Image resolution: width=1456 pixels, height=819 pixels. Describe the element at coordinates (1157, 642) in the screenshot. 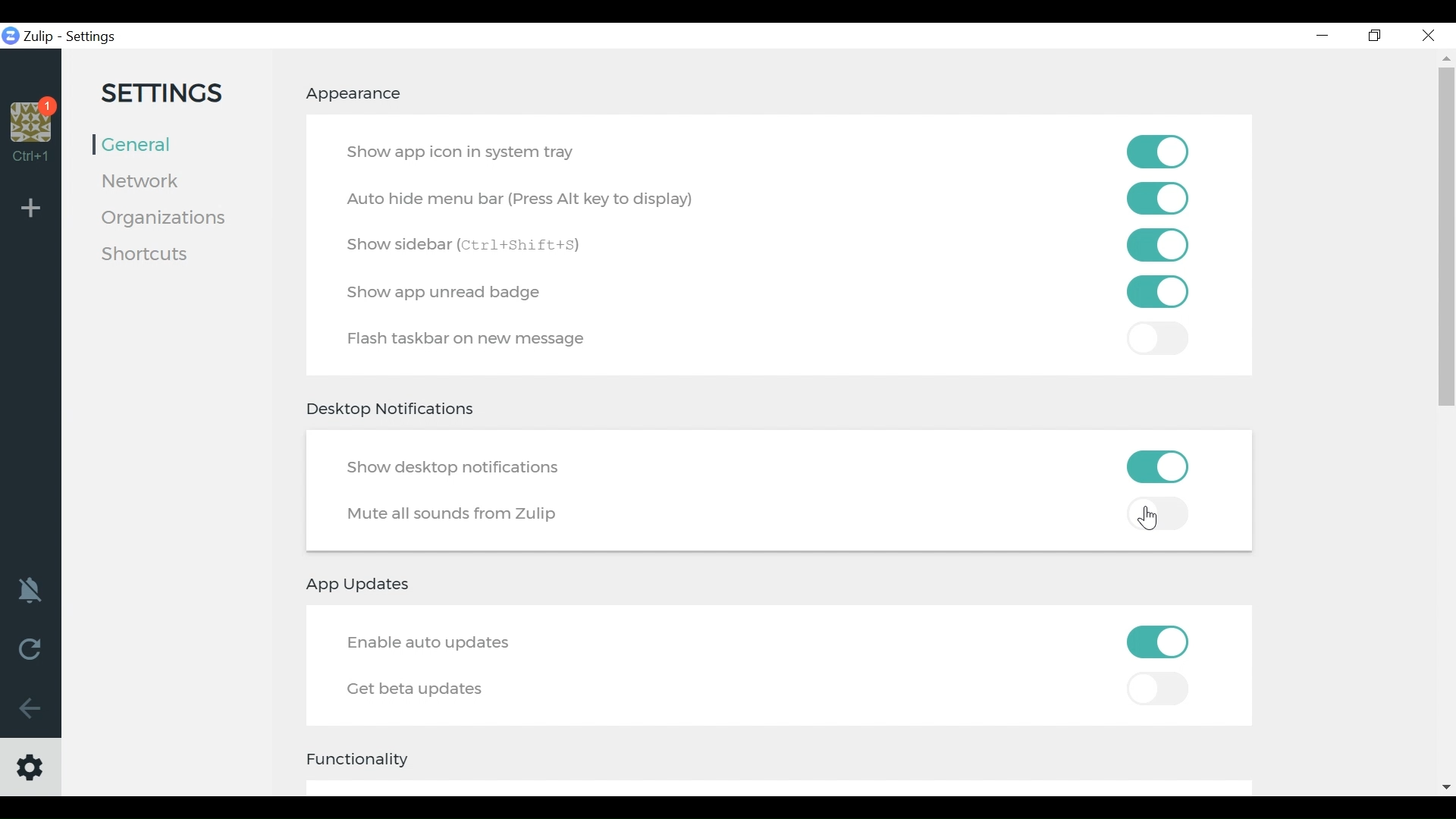

I see `Toggle on/off Enable auto updates` at that location.